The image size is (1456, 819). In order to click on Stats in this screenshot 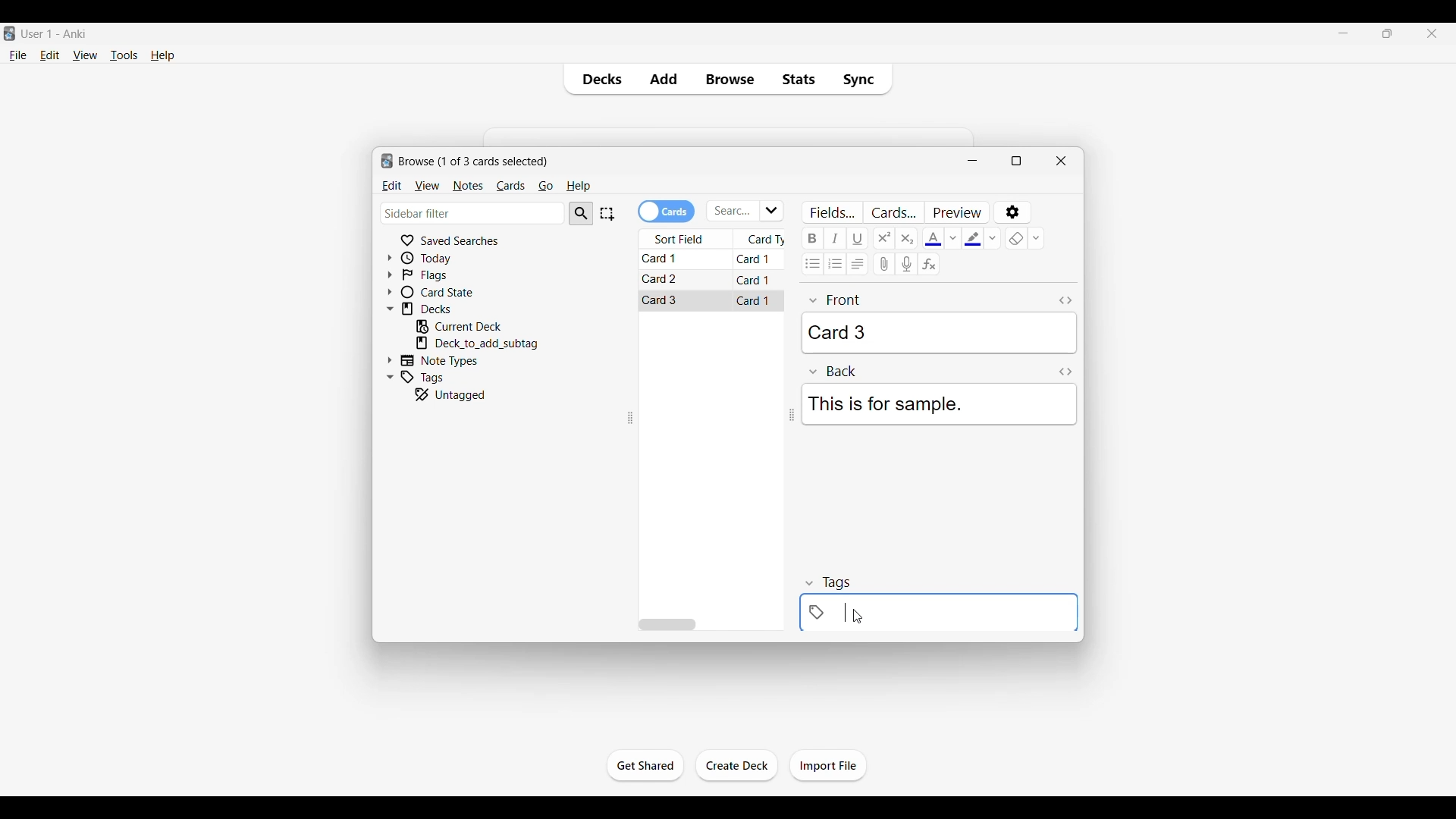, I will do `click(797, 79)`.